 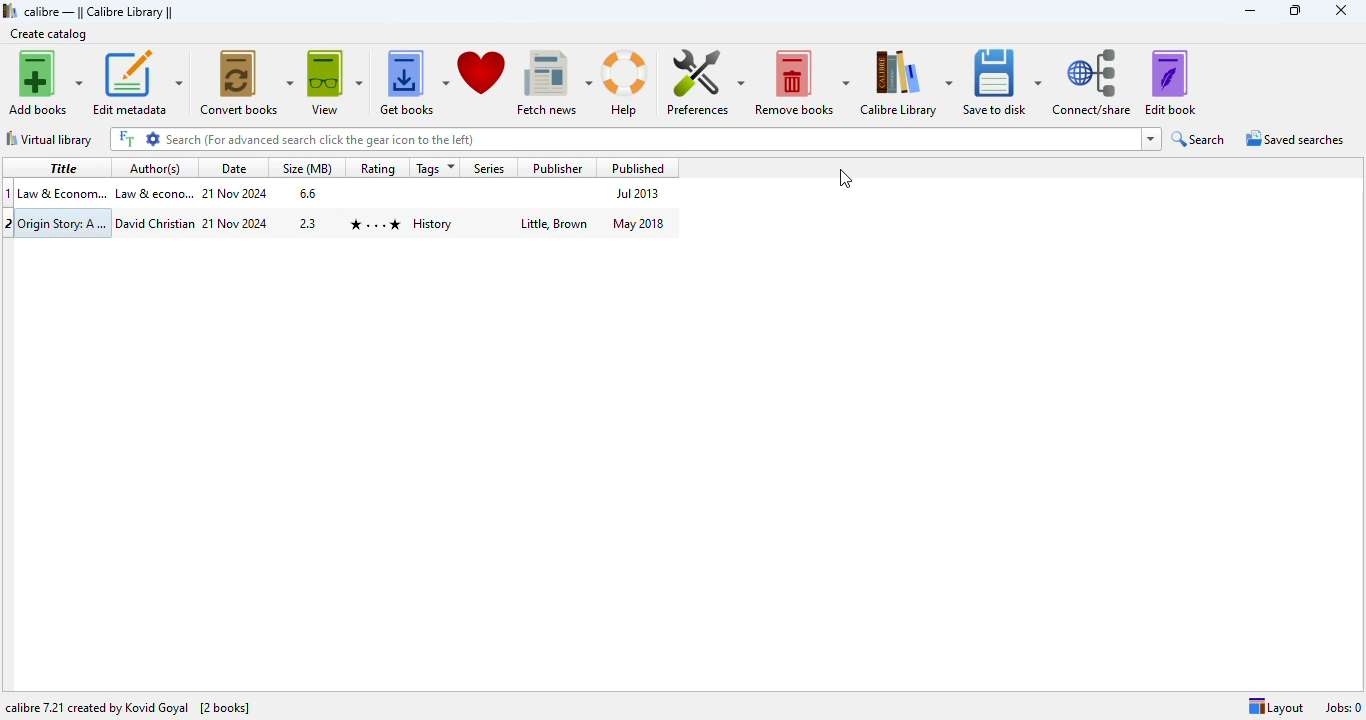 What do you see at coordinates (50, 139) in the screenshot?
I see `virtual library` at bounding box center [50, 139].